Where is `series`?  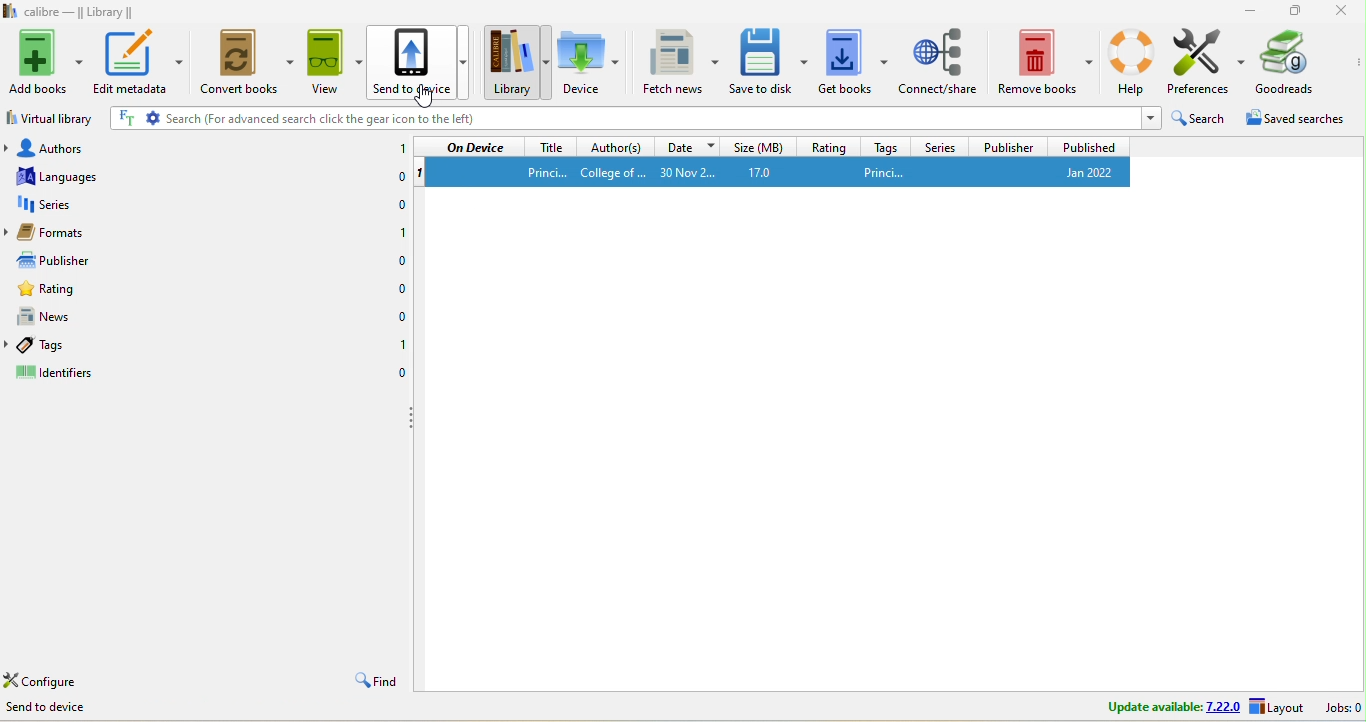
series is located at coordinates (181, 204).